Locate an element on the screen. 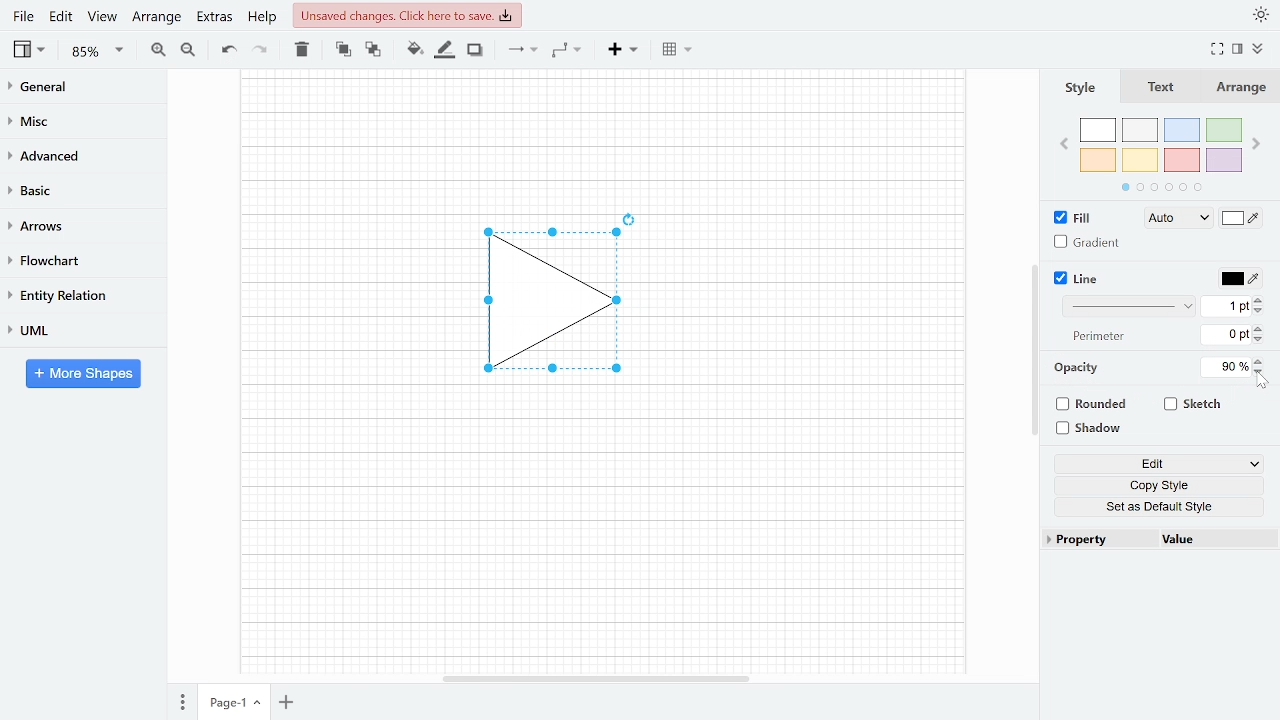 This screenshot has height=720, width=1280. Table is located at coordinates (679, 48).